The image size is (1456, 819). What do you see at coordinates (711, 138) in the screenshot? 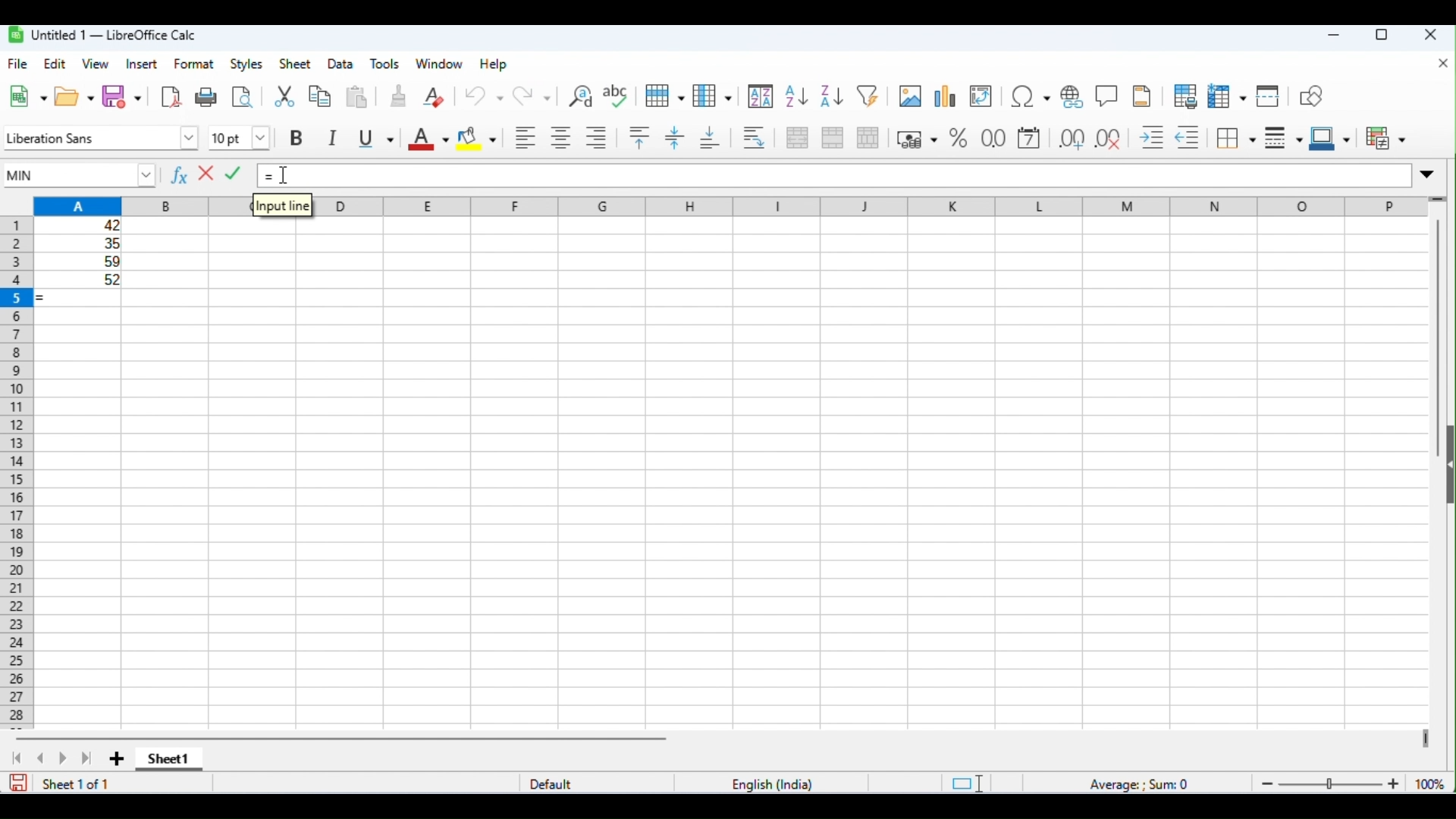
I see `align bottom` at bounding box center [711, 138].